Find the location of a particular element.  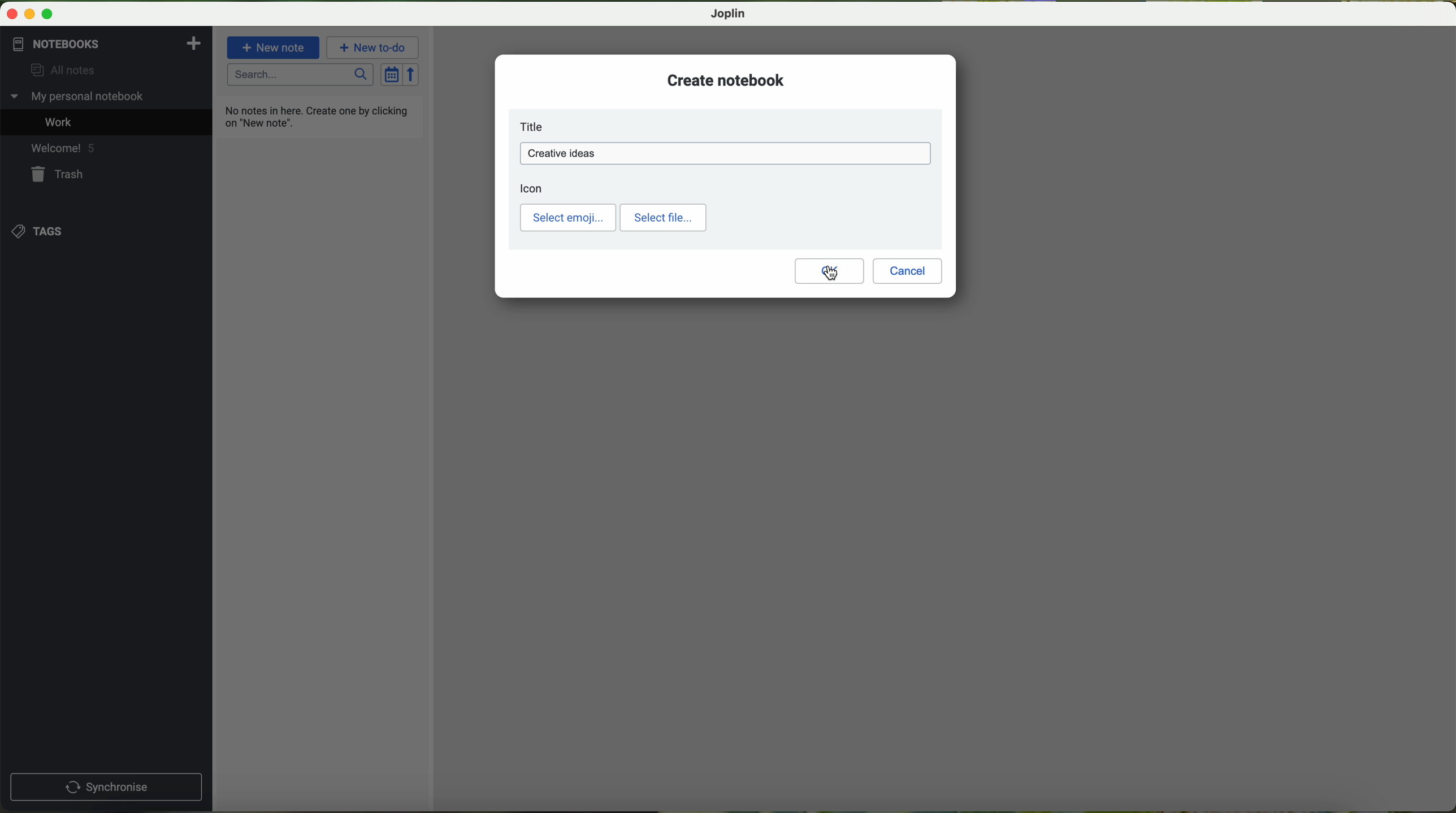

search bar is located at coordinates (301, 75).